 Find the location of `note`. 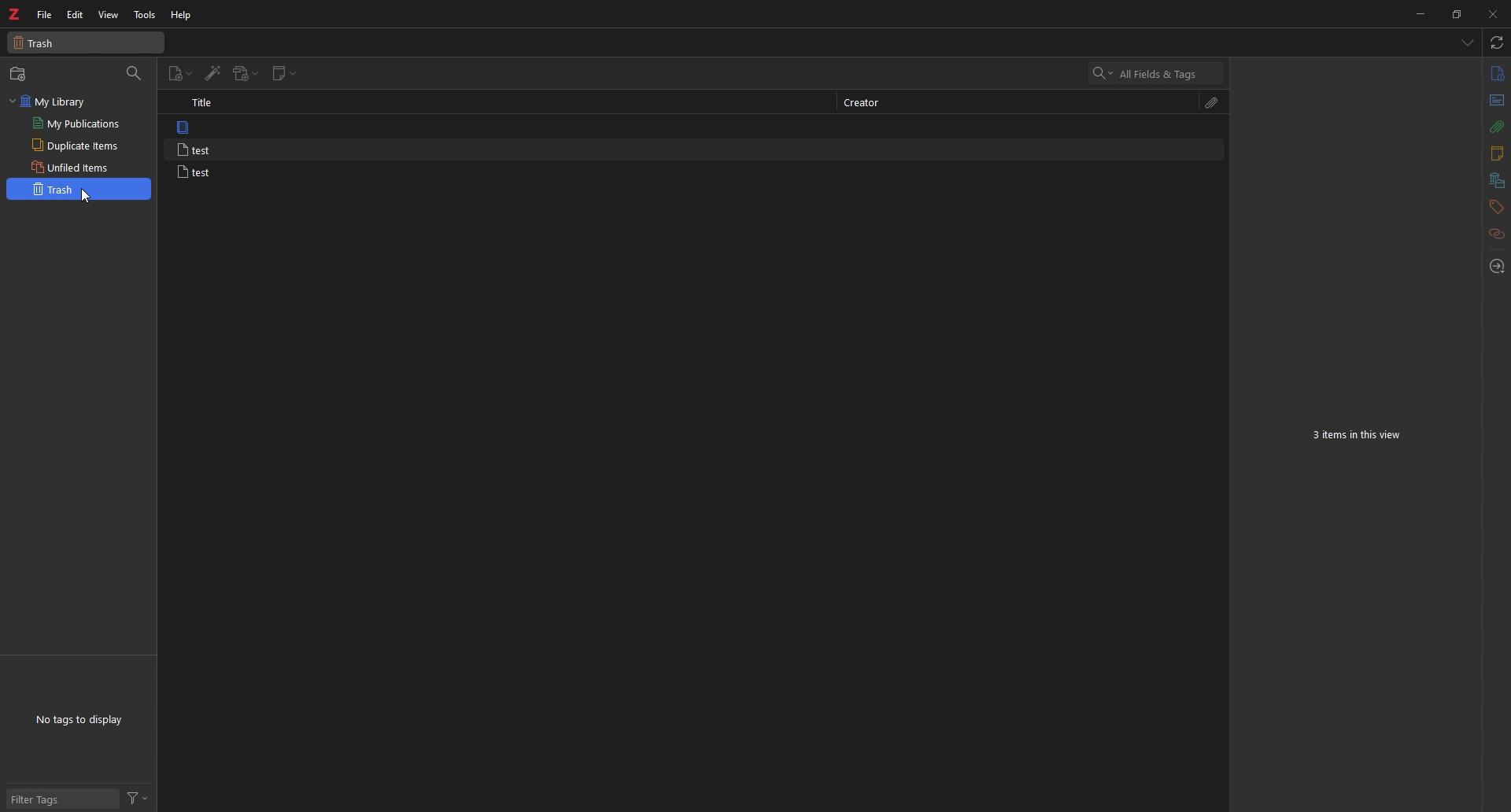

note is located at coordinates (251, 127).